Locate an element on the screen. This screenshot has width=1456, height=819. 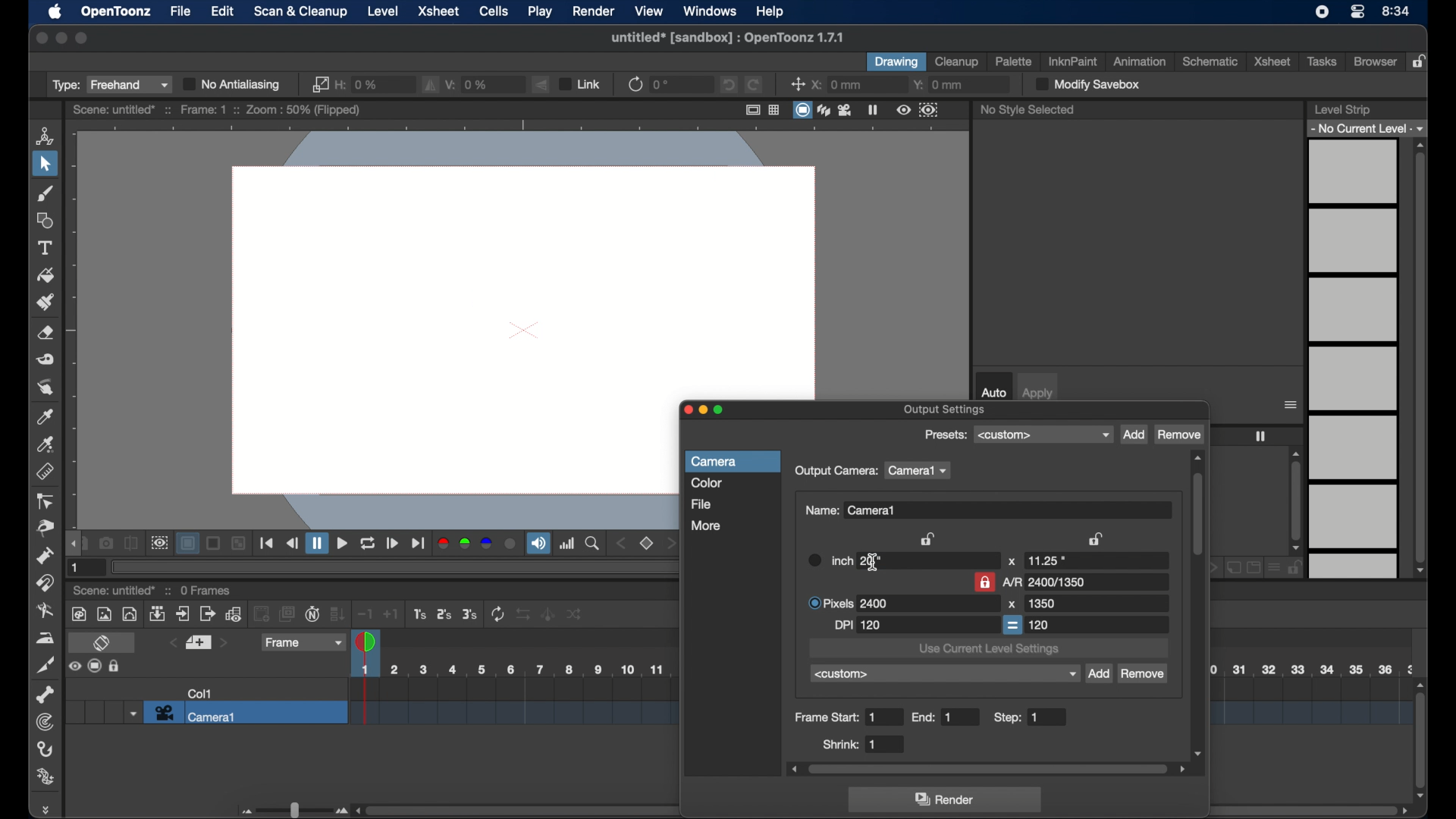
 is located at coordinates (1097, 539).